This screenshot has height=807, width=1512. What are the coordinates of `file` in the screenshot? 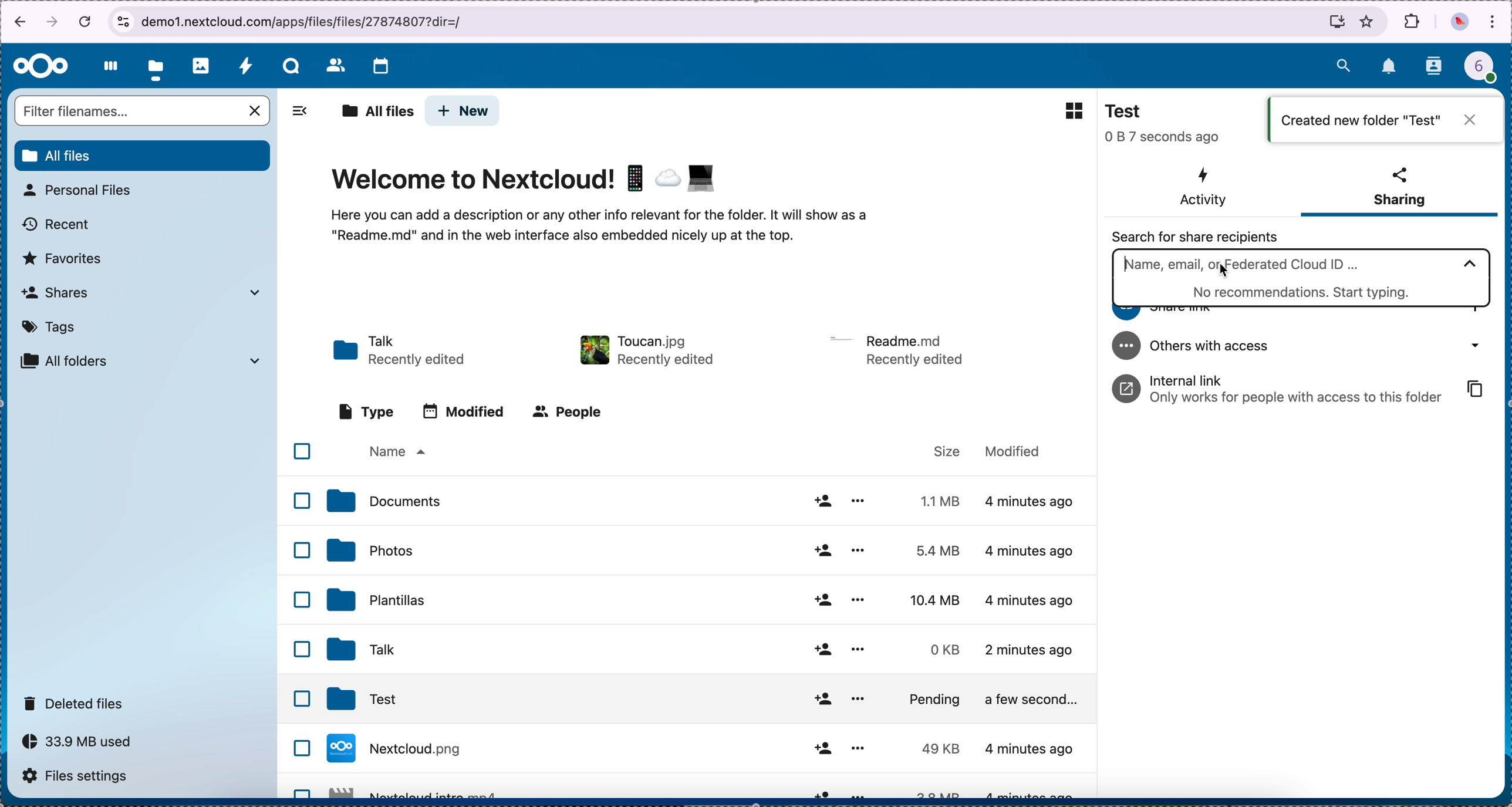 It's located at (710, 748).